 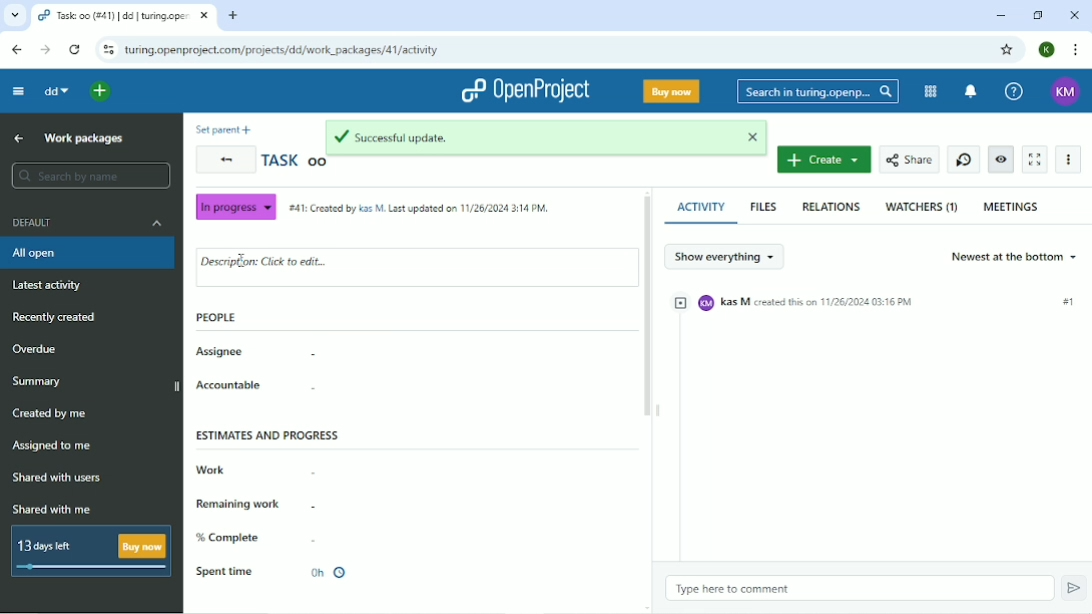 What do you see at coordinates (999, 15) in the screenshot?
I see `Minimize` at bounding box center [999, 15].